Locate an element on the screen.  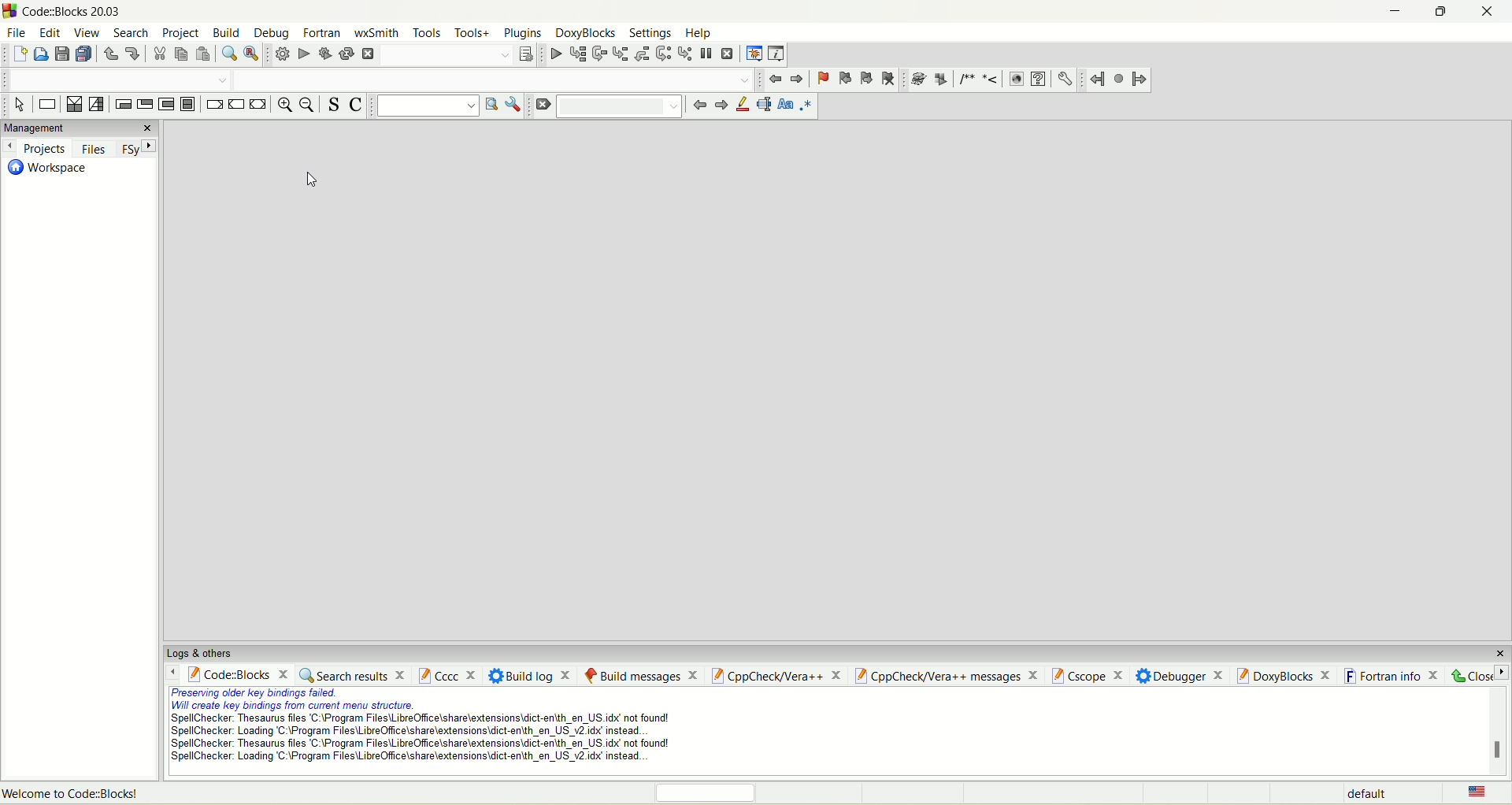
Cppcheck/vera++ message is located at coordinates (944, 675).